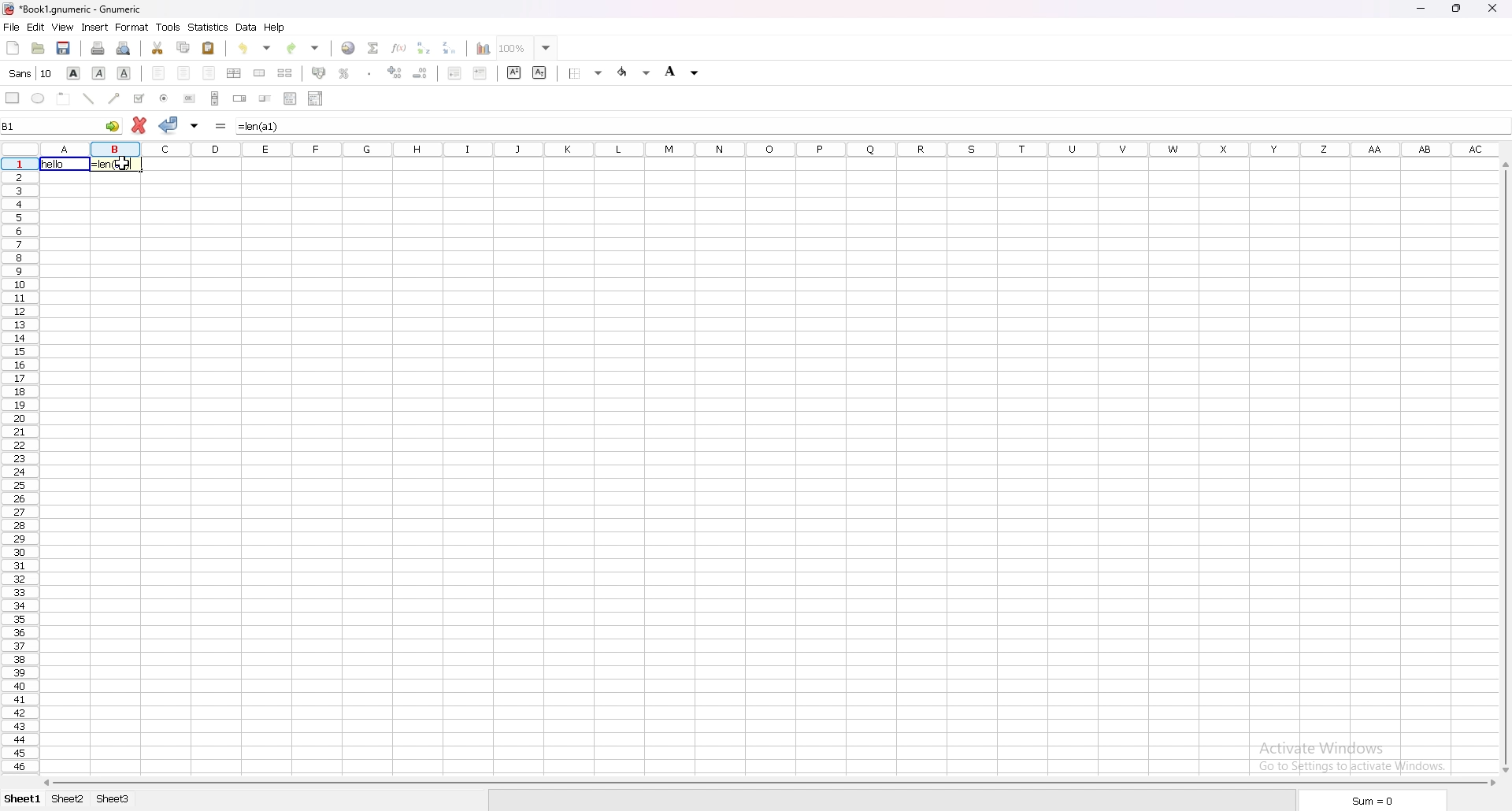 This screenshot has width=1512, height=811. Describe the element at coordinates (13, 98) in the screenshot. I see `create rectangle` at that location.